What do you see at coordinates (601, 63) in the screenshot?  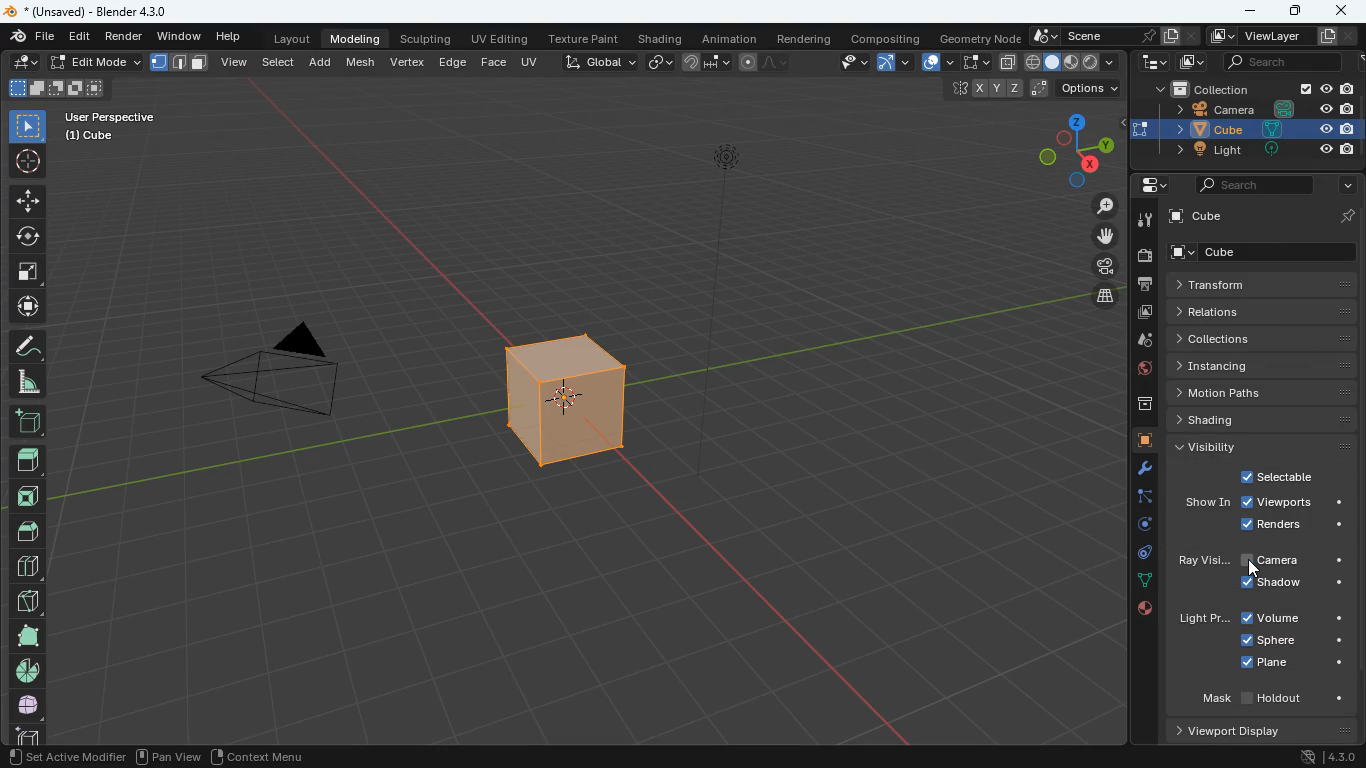 I see `global` at bounding box center [601, 63].